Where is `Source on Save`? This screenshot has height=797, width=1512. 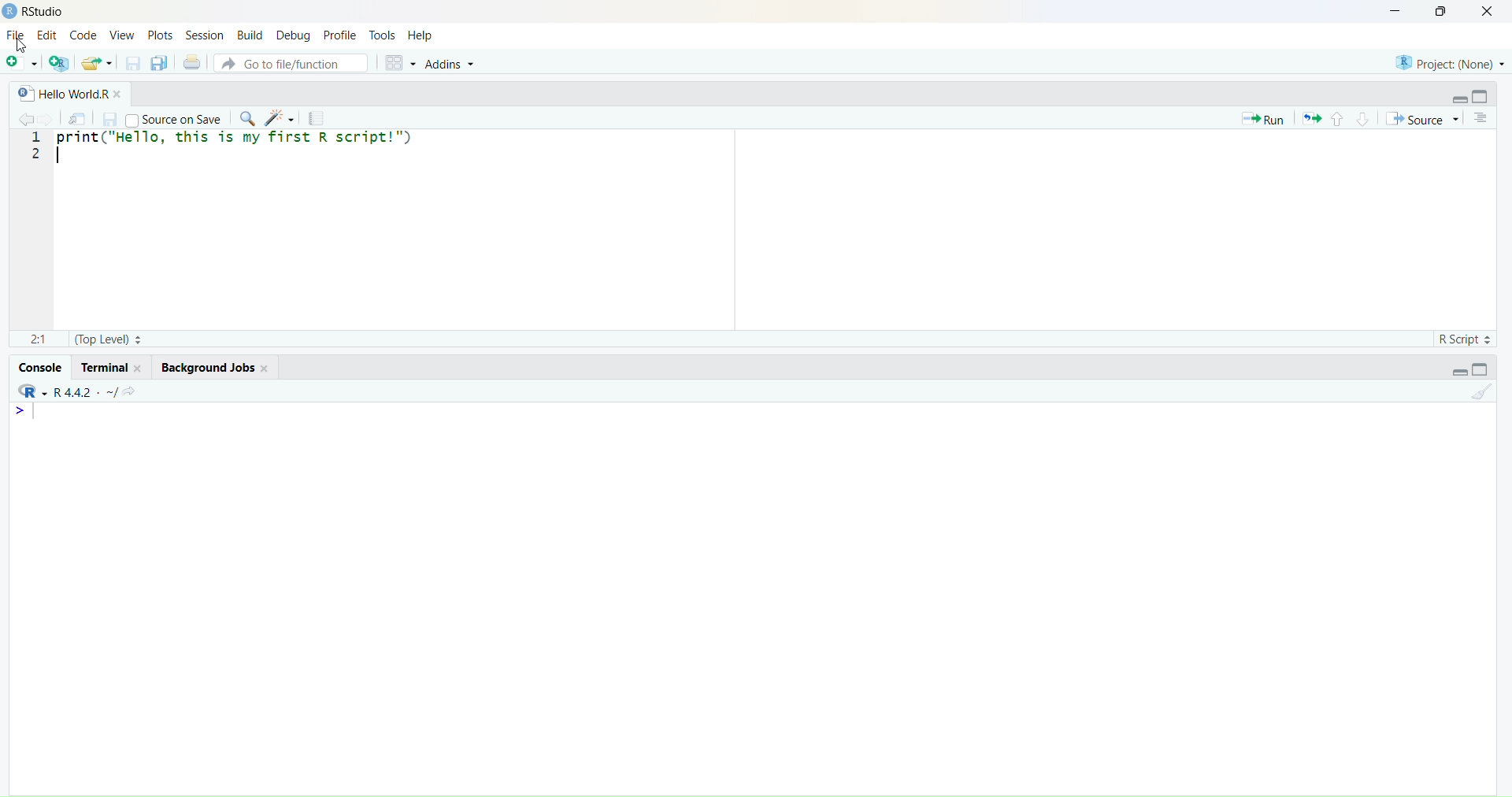 Source on Save is located at coordinates (174, 119).